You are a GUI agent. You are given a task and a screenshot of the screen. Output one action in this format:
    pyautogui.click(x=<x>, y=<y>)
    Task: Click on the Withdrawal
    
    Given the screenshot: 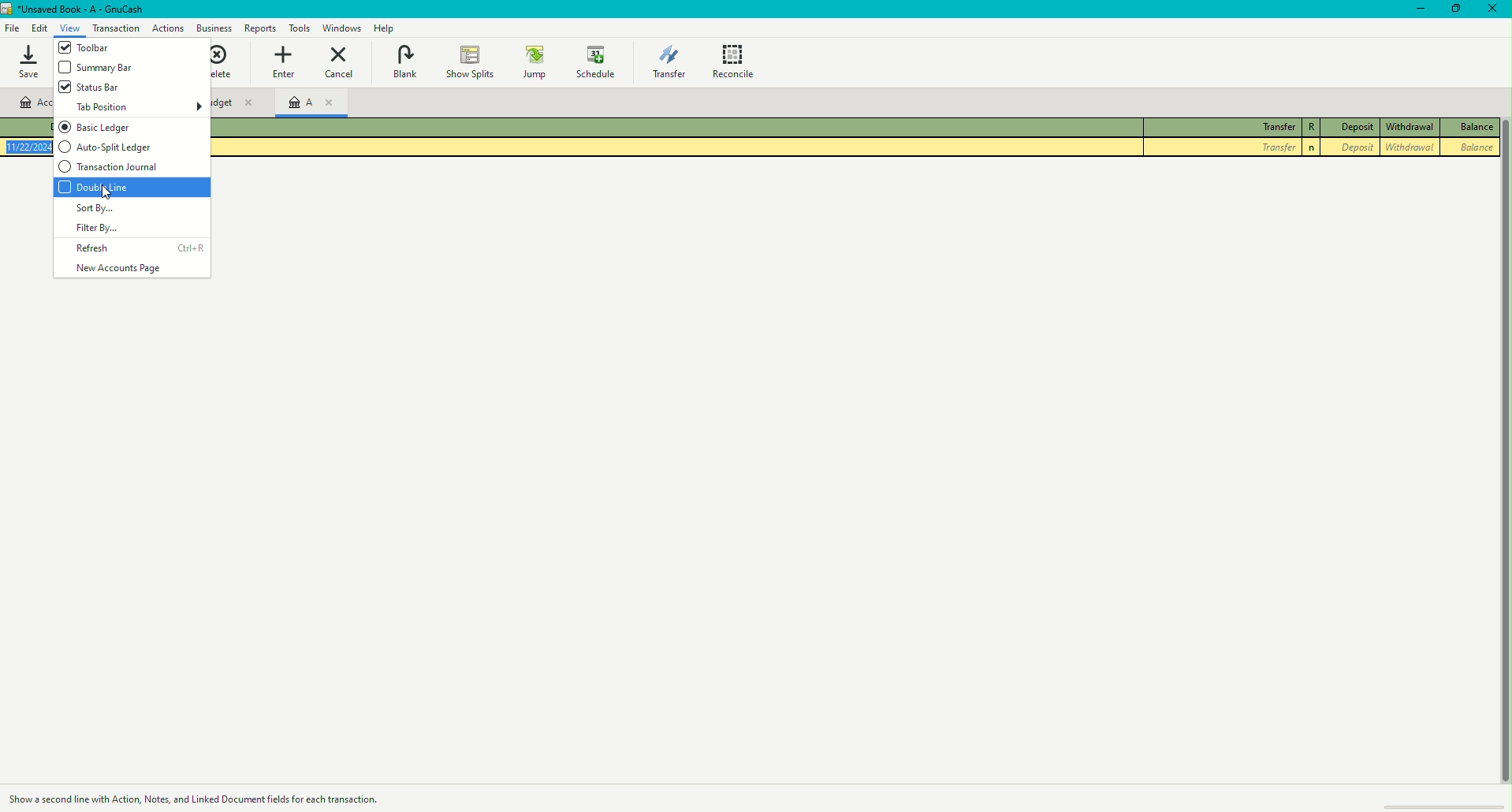 What is the action you would take?
    pyautogui.click(x=1406, y=128)
    